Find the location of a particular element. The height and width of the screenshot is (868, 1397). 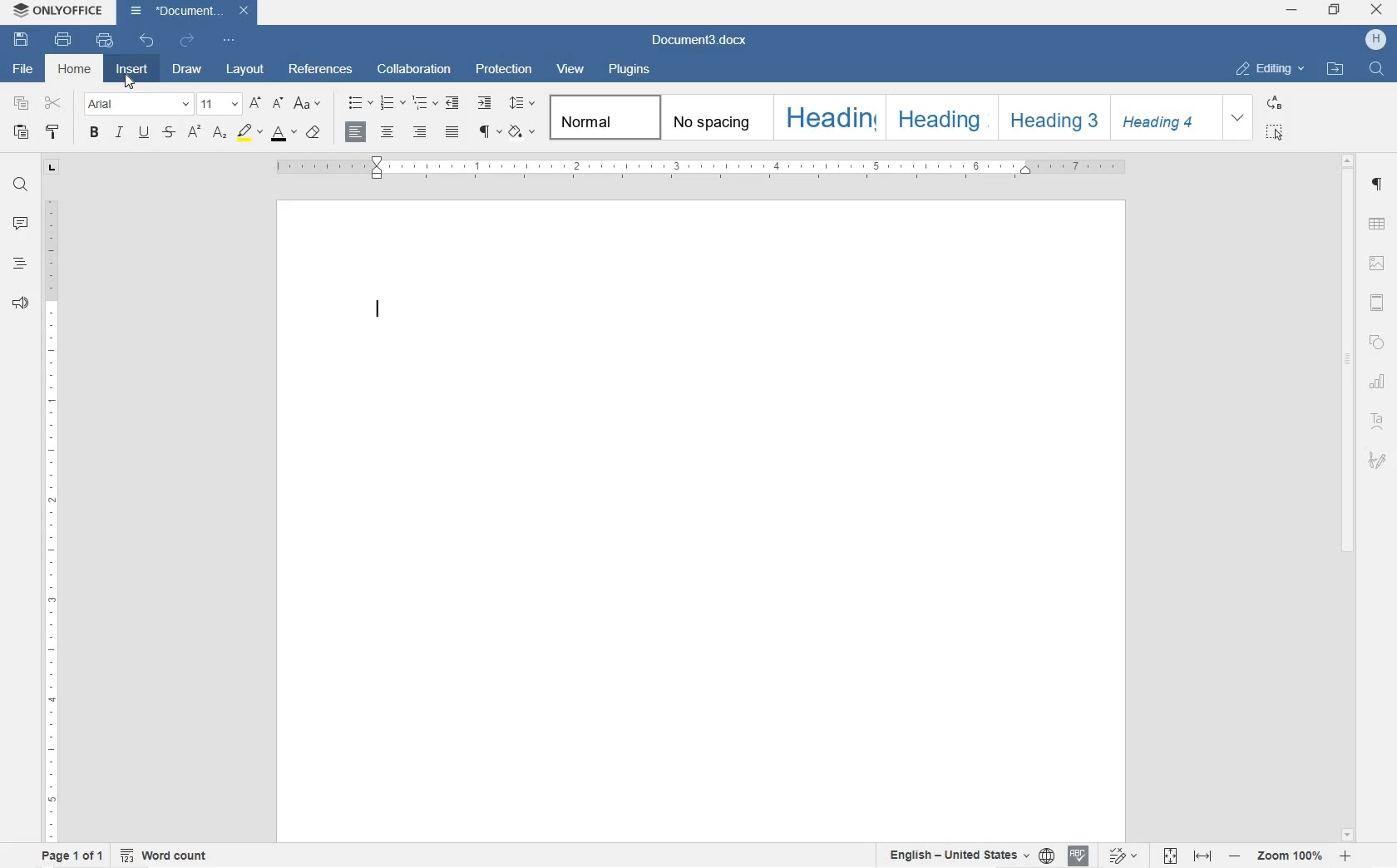

HEADING 3 is located at coordinates (1051, 117).